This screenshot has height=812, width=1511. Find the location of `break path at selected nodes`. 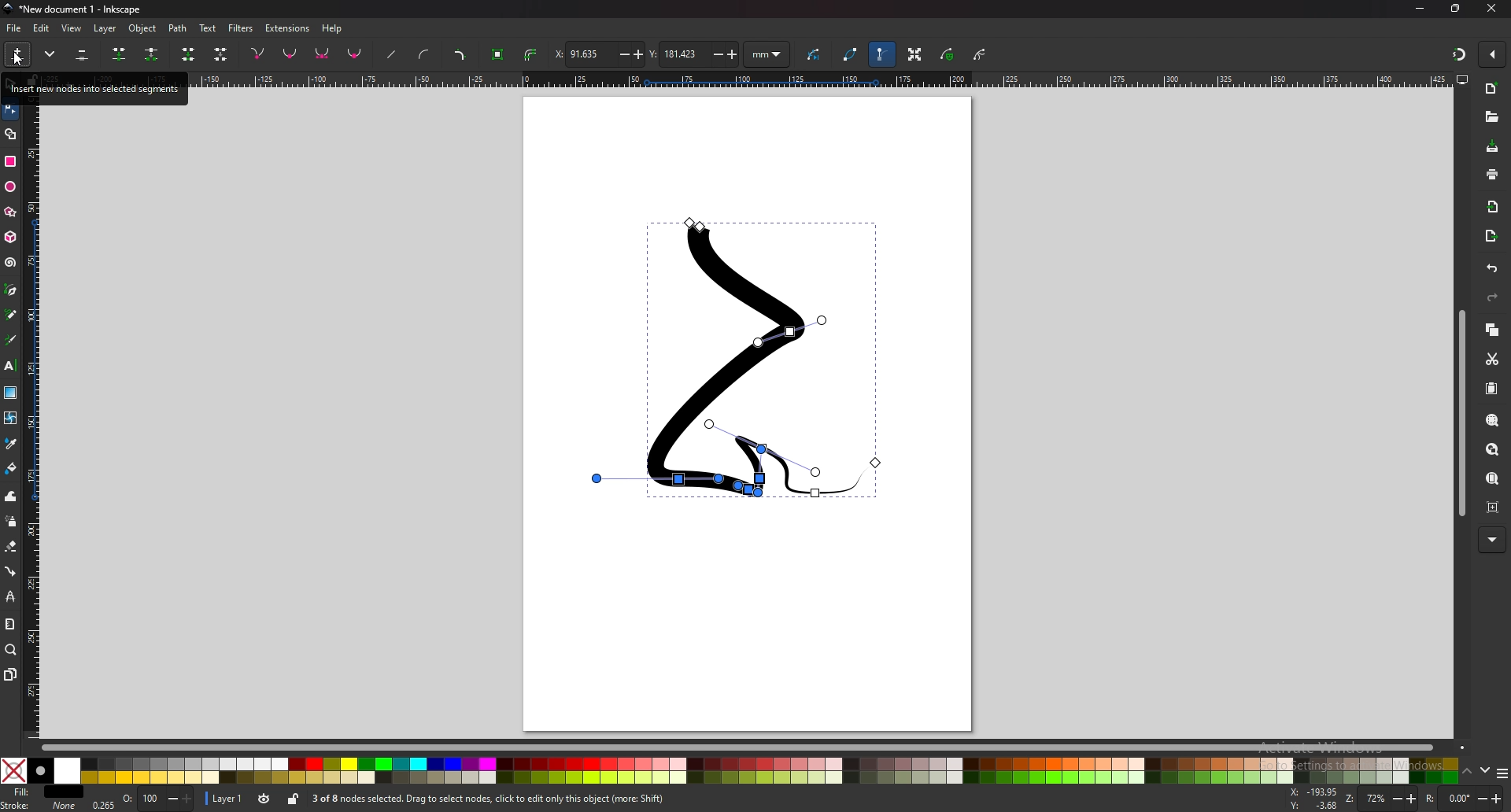

break path at selected nodes is located at coordinates (152, 54).